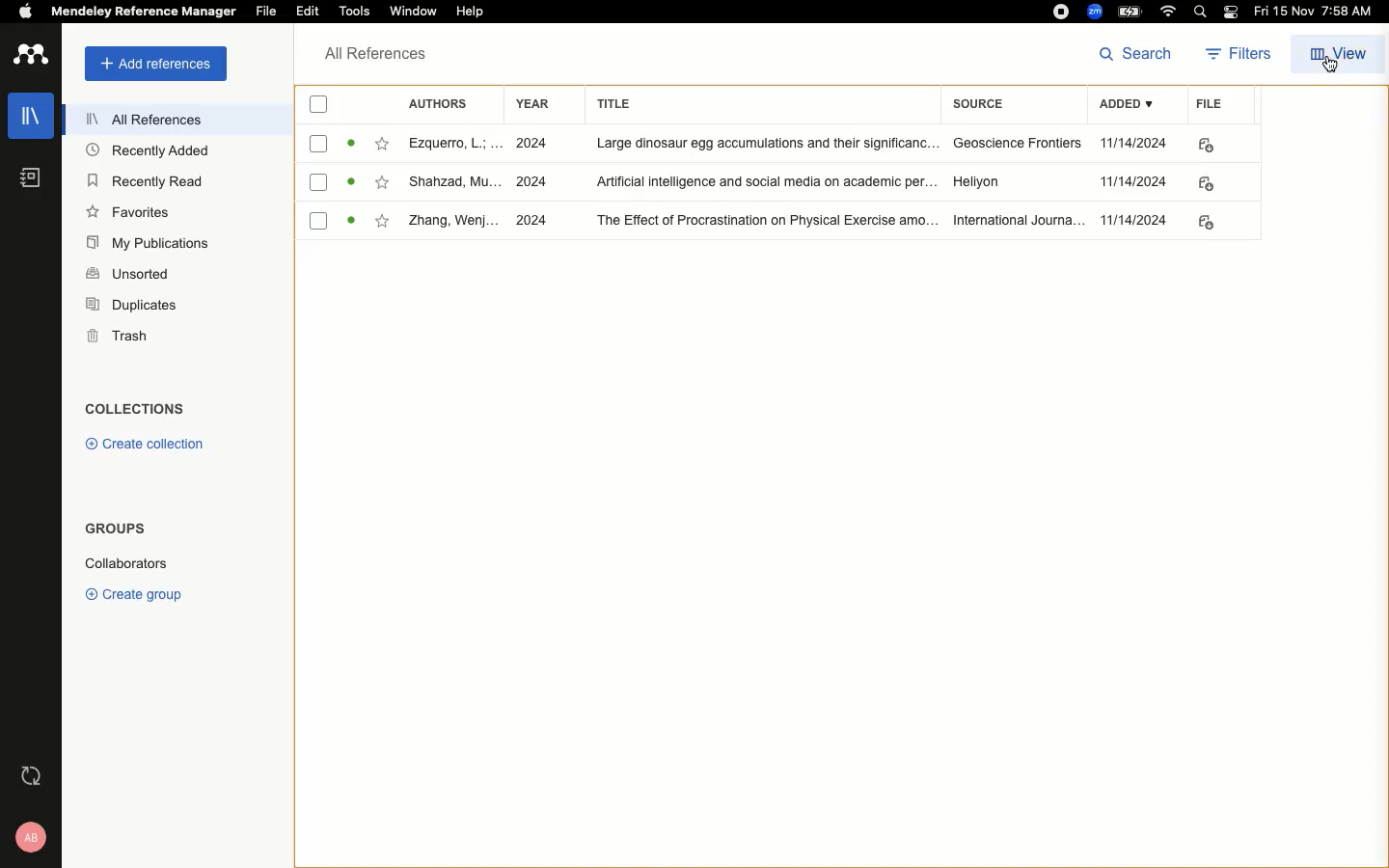  What do you see at coordinates (471, 10) in the screenshot?
I see `Help` at bounding box center [471, 10].